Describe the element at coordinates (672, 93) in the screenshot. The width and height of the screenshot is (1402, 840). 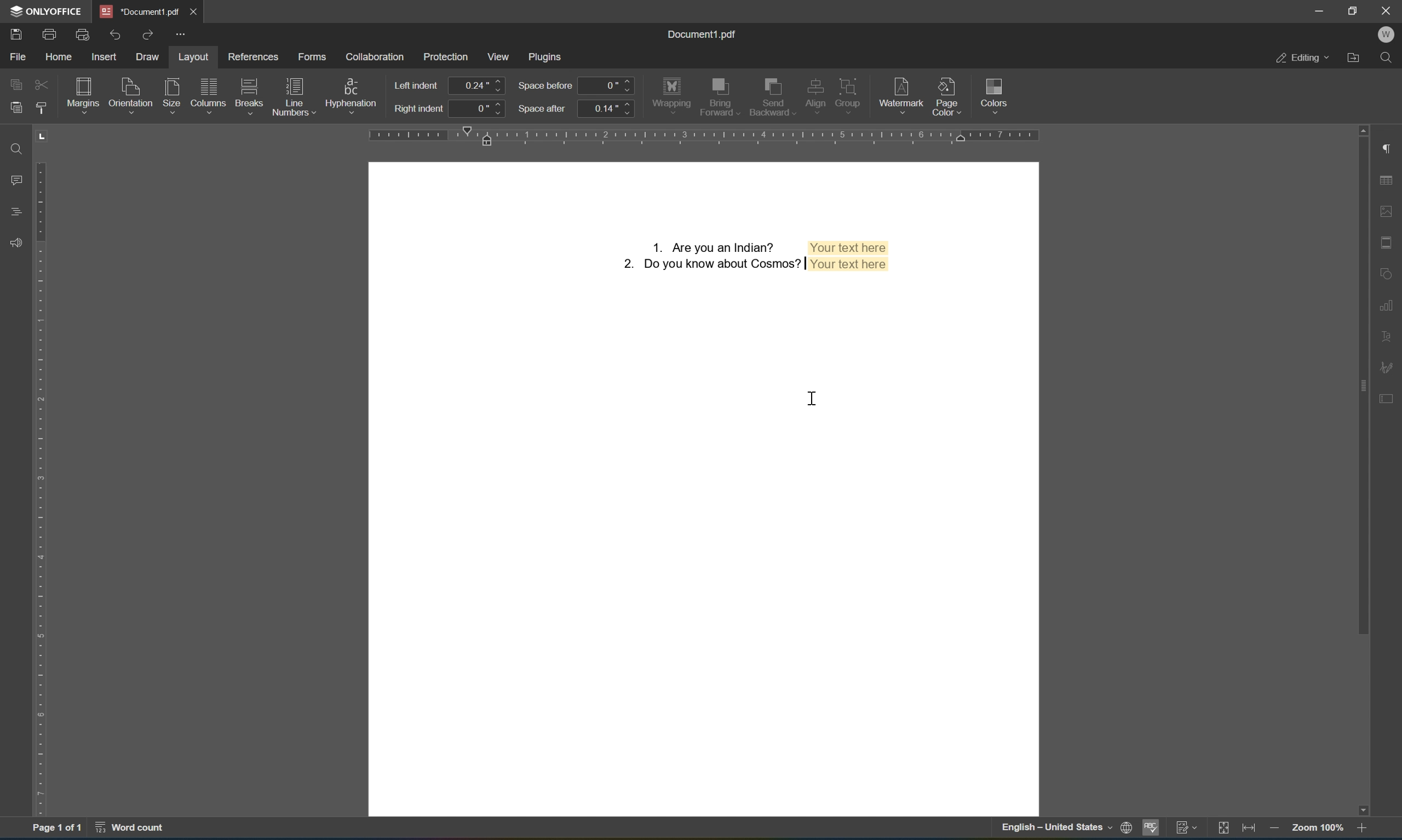
I see `wrapping` at that location.